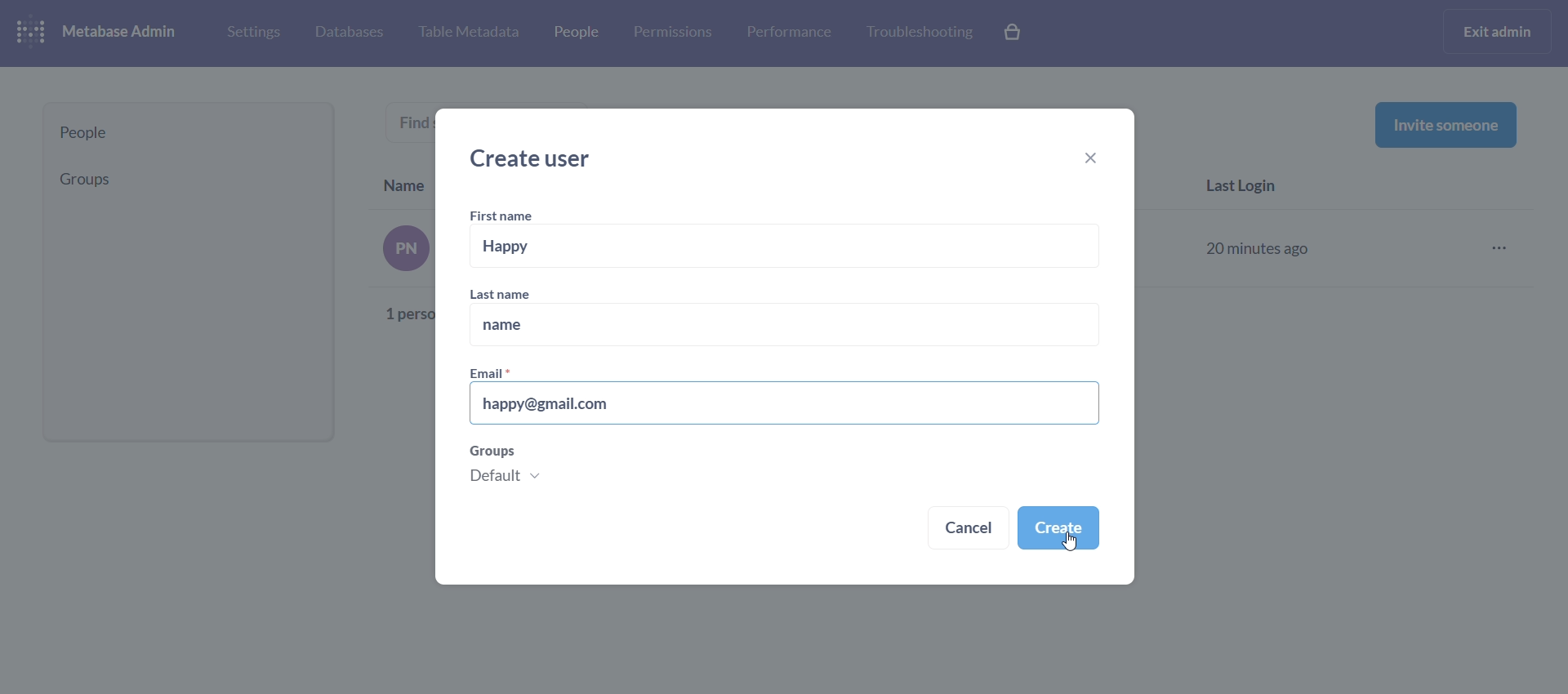 Image resolution: width=1568 pixels, height=694 pixels. Describe the element at coordinates (189, 133) in the screenshot. I see `people` at that location.